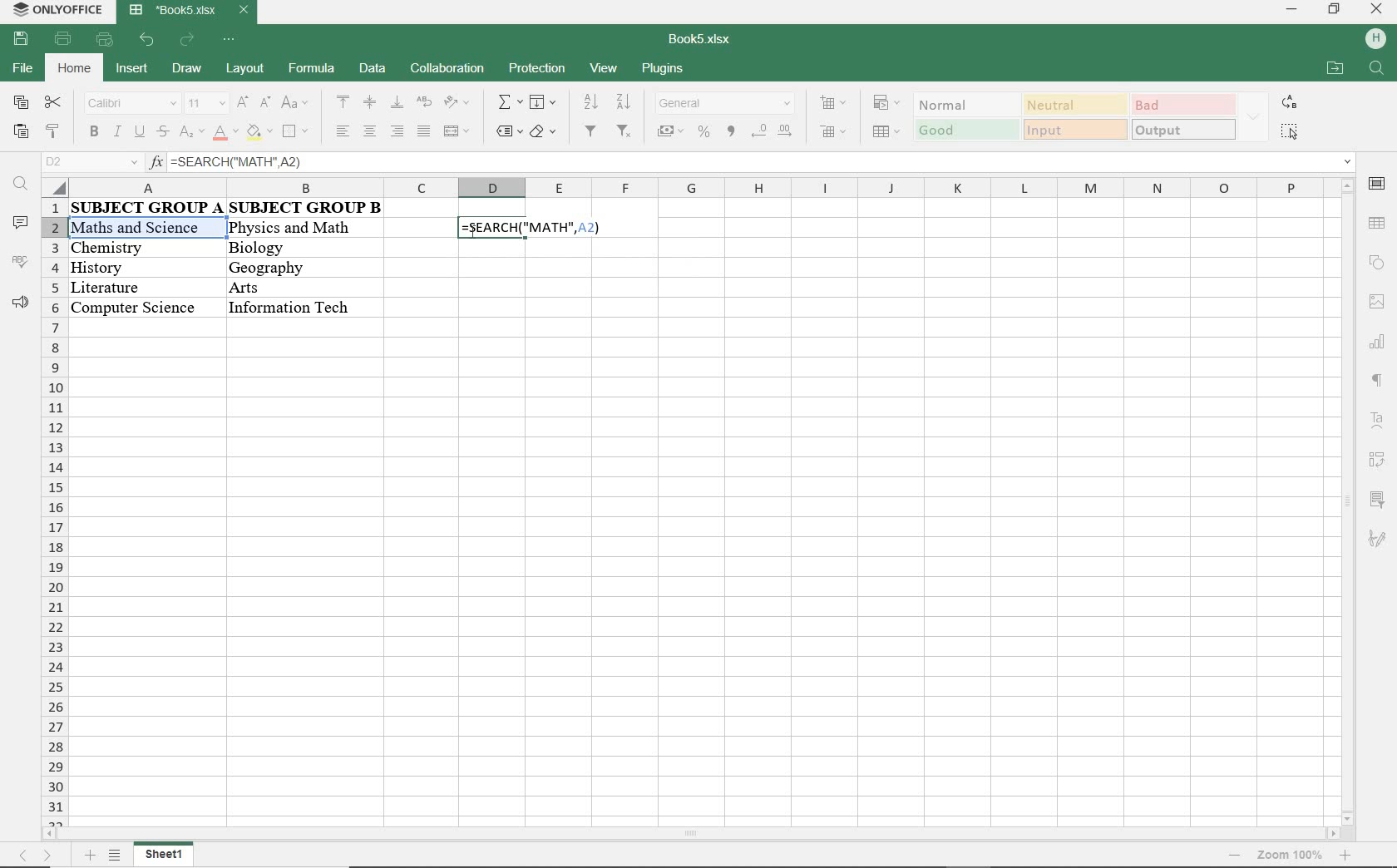 This screenshot has width=1397, height=868. Describe the element at coordinates (104, 40) in the screenshot. I see `customize quick access toolbar` at that location.